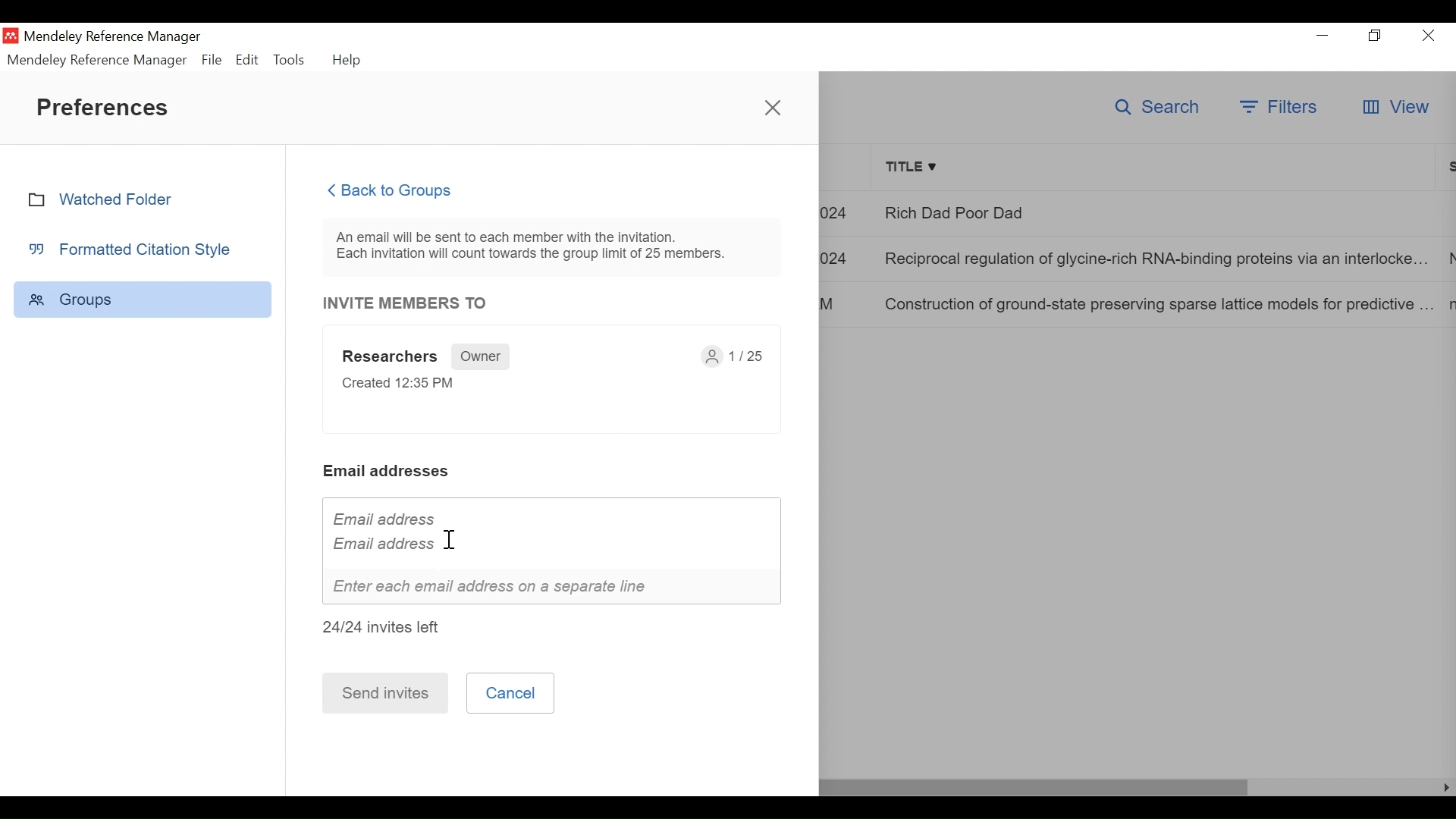 This screenshot has height=819, width=1456. I want to click on 1/25, so click(739, 359).